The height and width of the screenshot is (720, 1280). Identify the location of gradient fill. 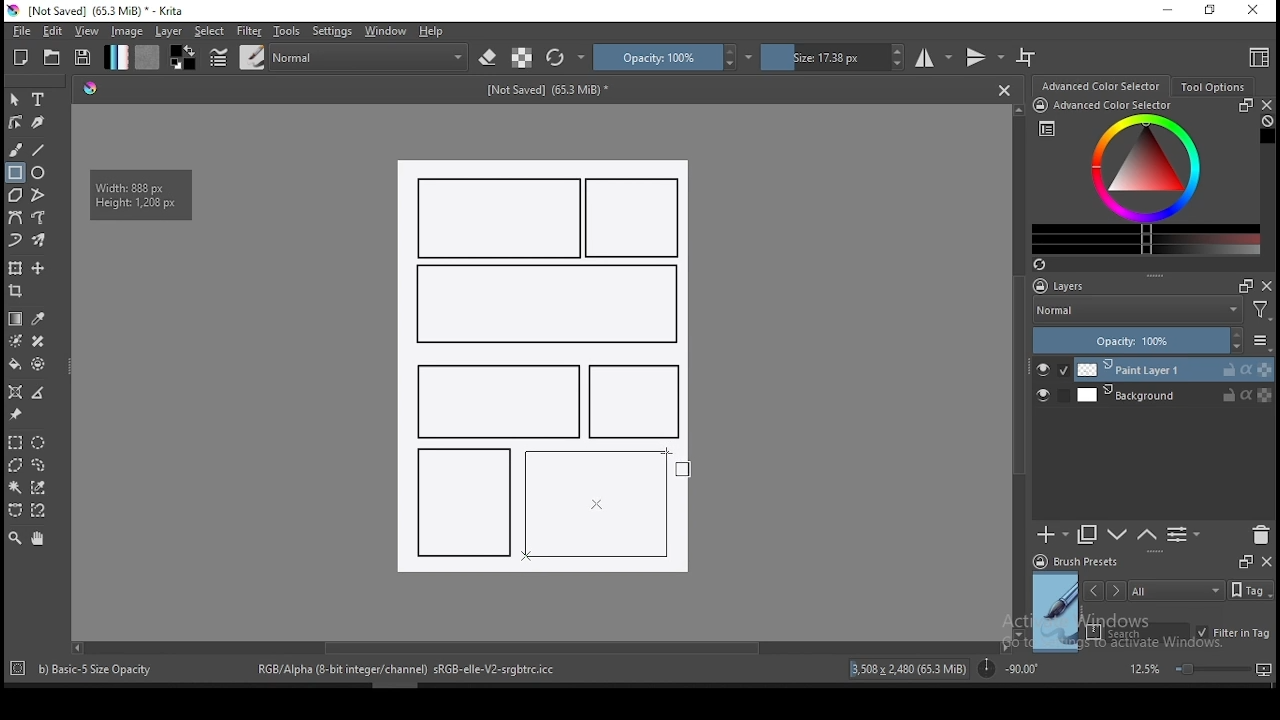
(116, 57).